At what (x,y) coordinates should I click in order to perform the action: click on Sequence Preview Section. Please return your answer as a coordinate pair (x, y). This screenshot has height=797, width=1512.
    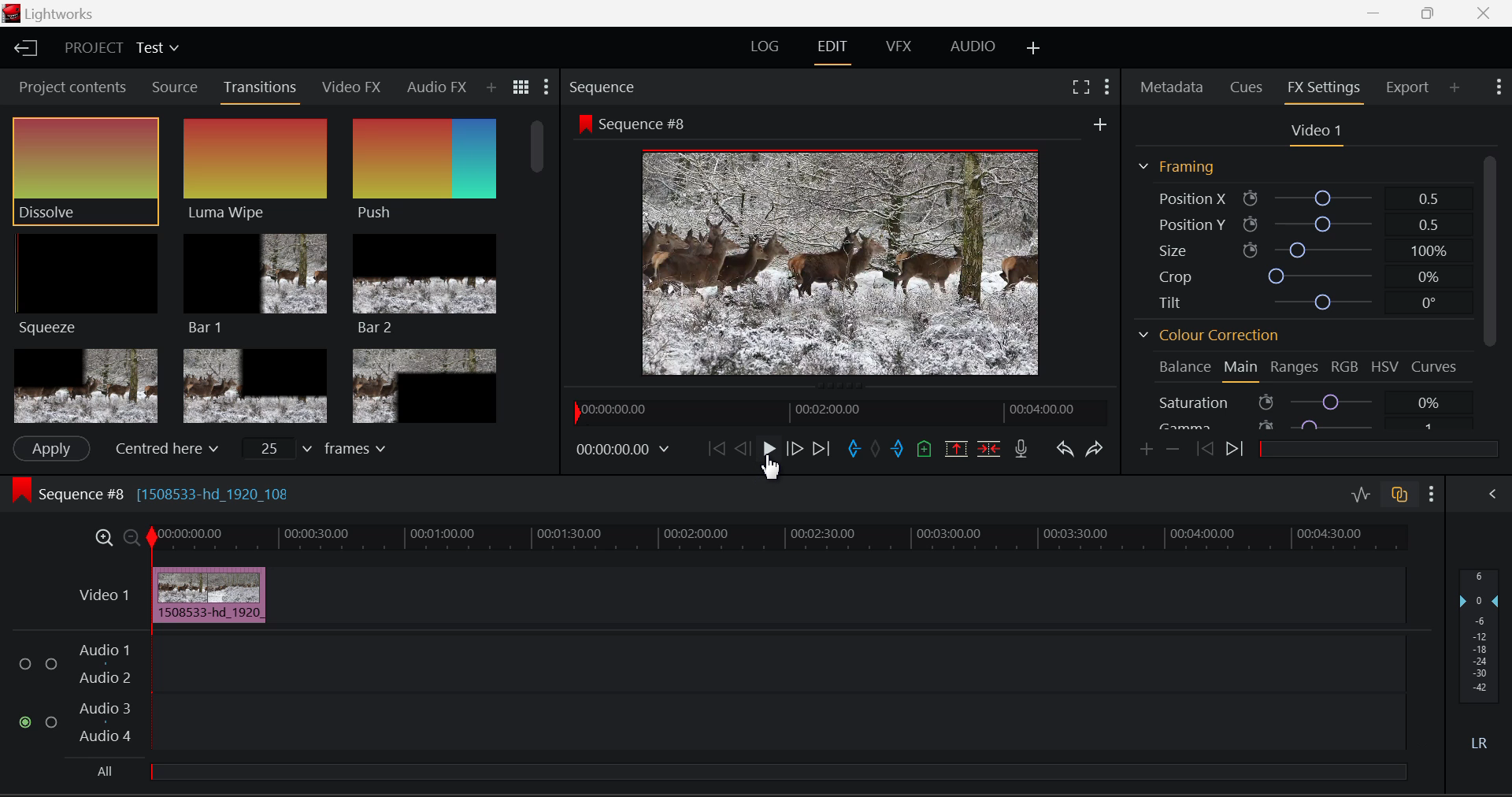
    Looking at the image, I should click on (605, 87).